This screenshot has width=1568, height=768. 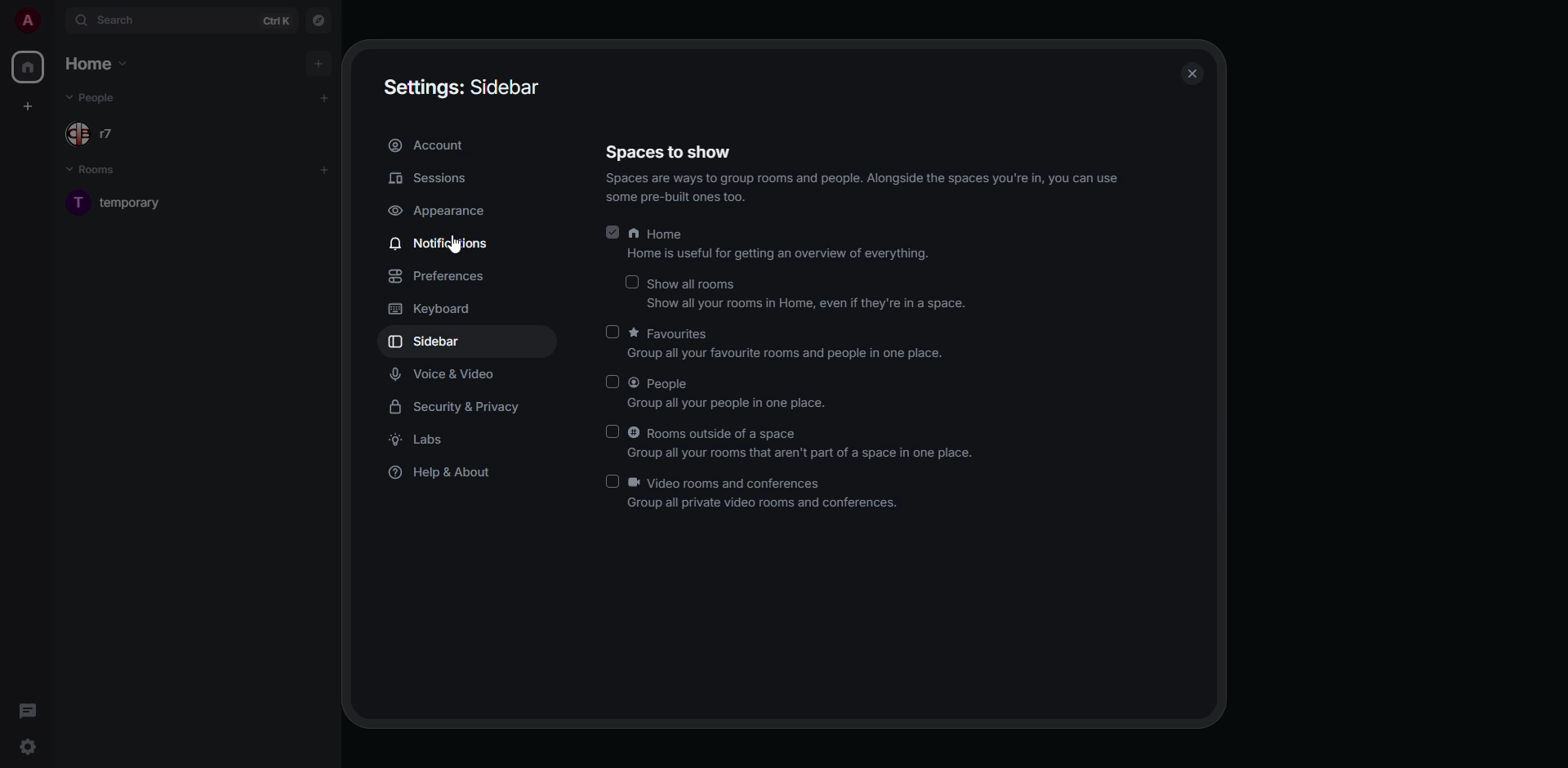 What do you see at coordinates (731, 393) in the screenshot?
I see `people` at bounding box center [731, 393].